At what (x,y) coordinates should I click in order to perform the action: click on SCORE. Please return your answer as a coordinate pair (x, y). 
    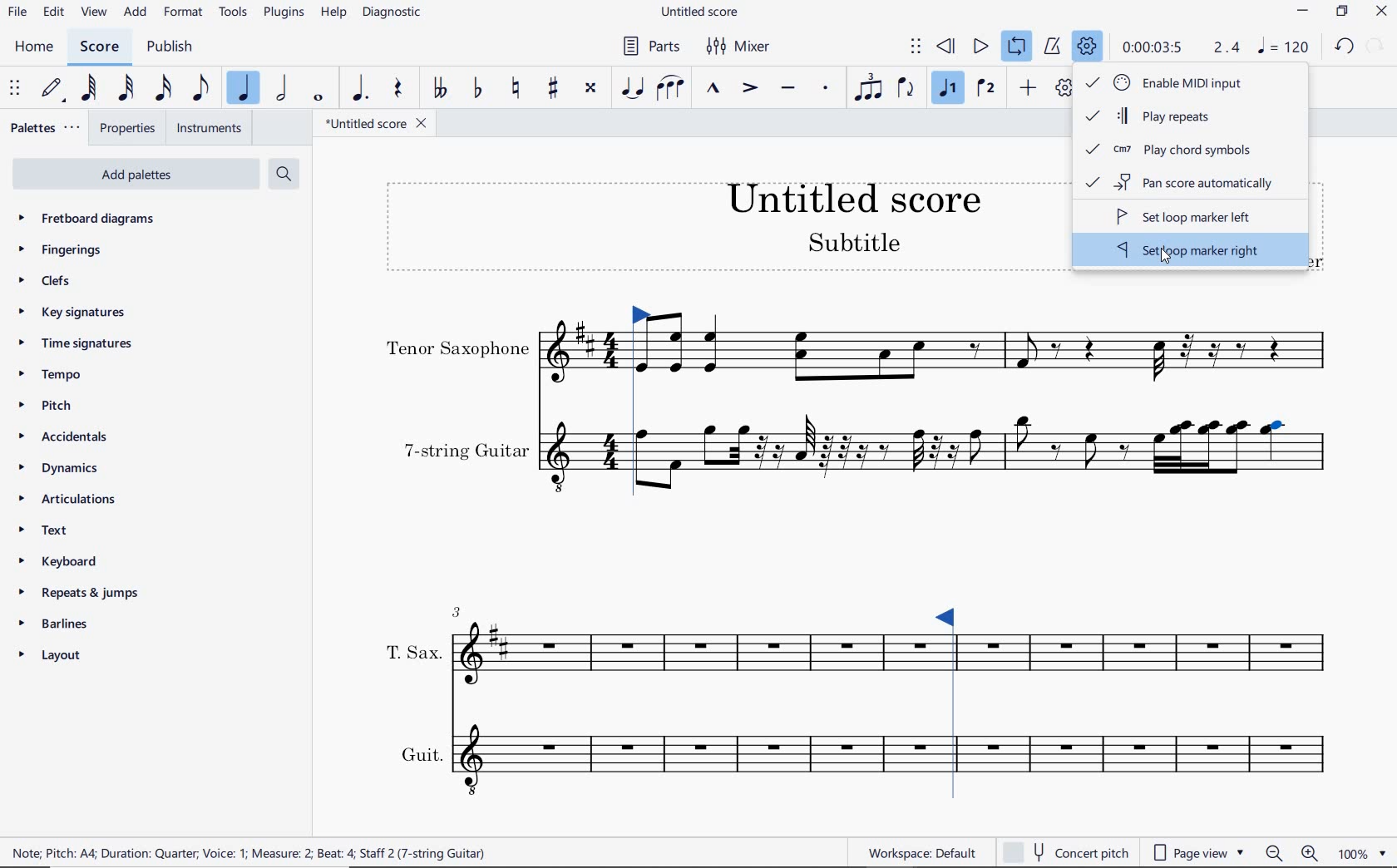
    Looking at the image, I should click on (97, 47).